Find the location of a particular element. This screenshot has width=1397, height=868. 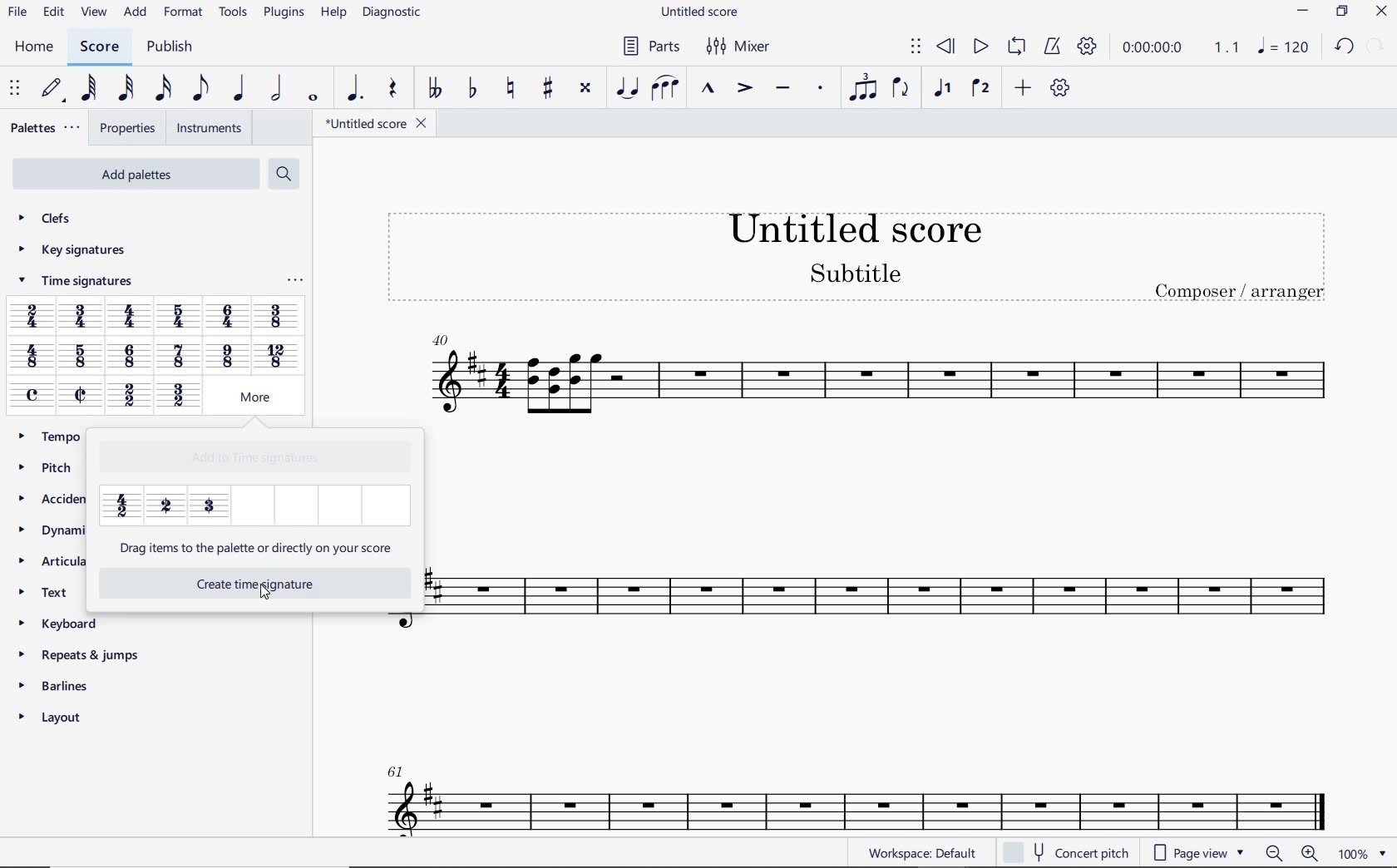

cursor is located at coordinates (261, 595).